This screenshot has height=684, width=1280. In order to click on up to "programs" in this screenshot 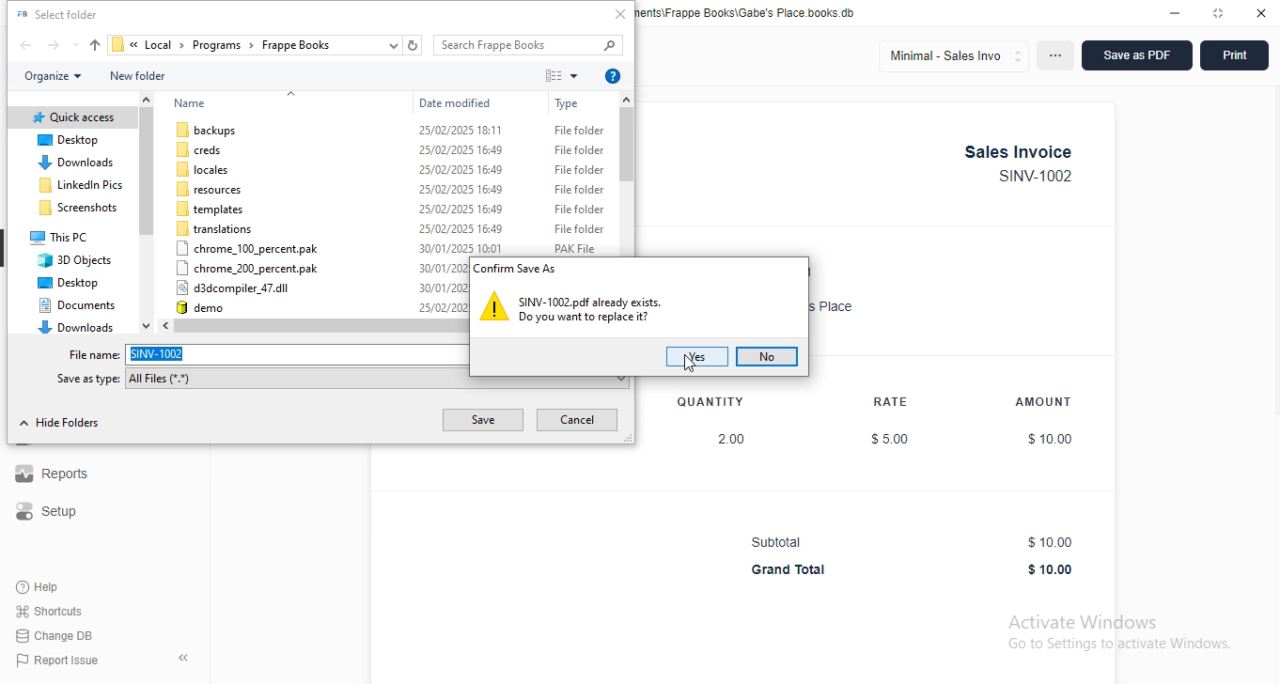, I will do `click(95, 45)`.